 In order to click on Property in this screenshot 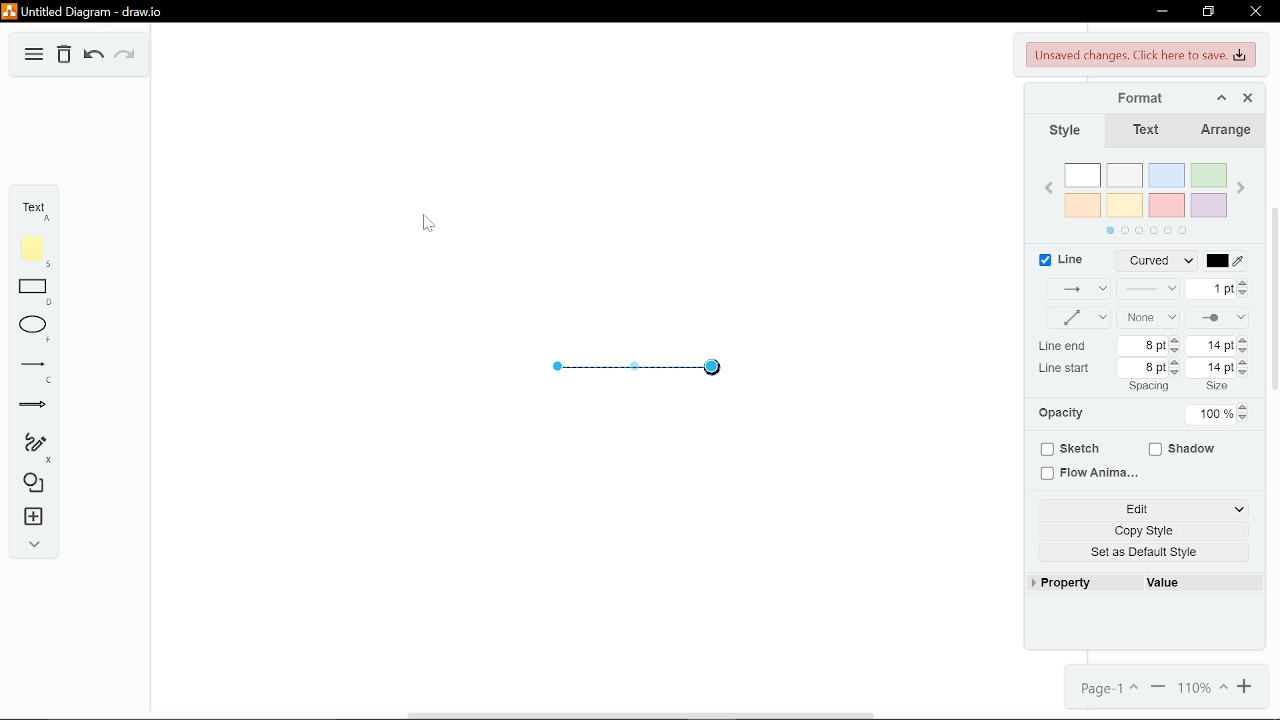, I will do `click(1070, 584)`.